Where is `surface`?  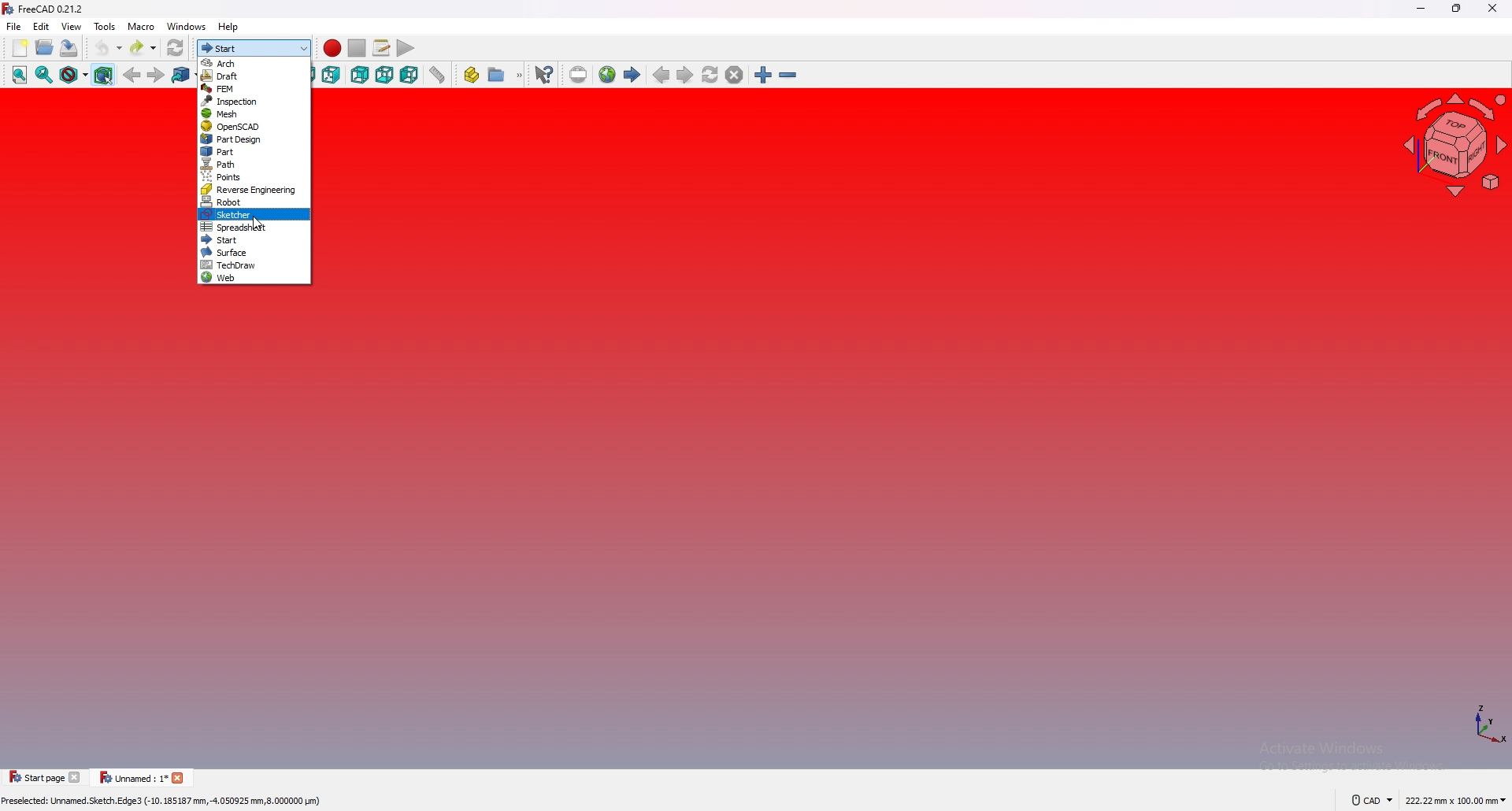
surface is located at coordinates (254, 252).